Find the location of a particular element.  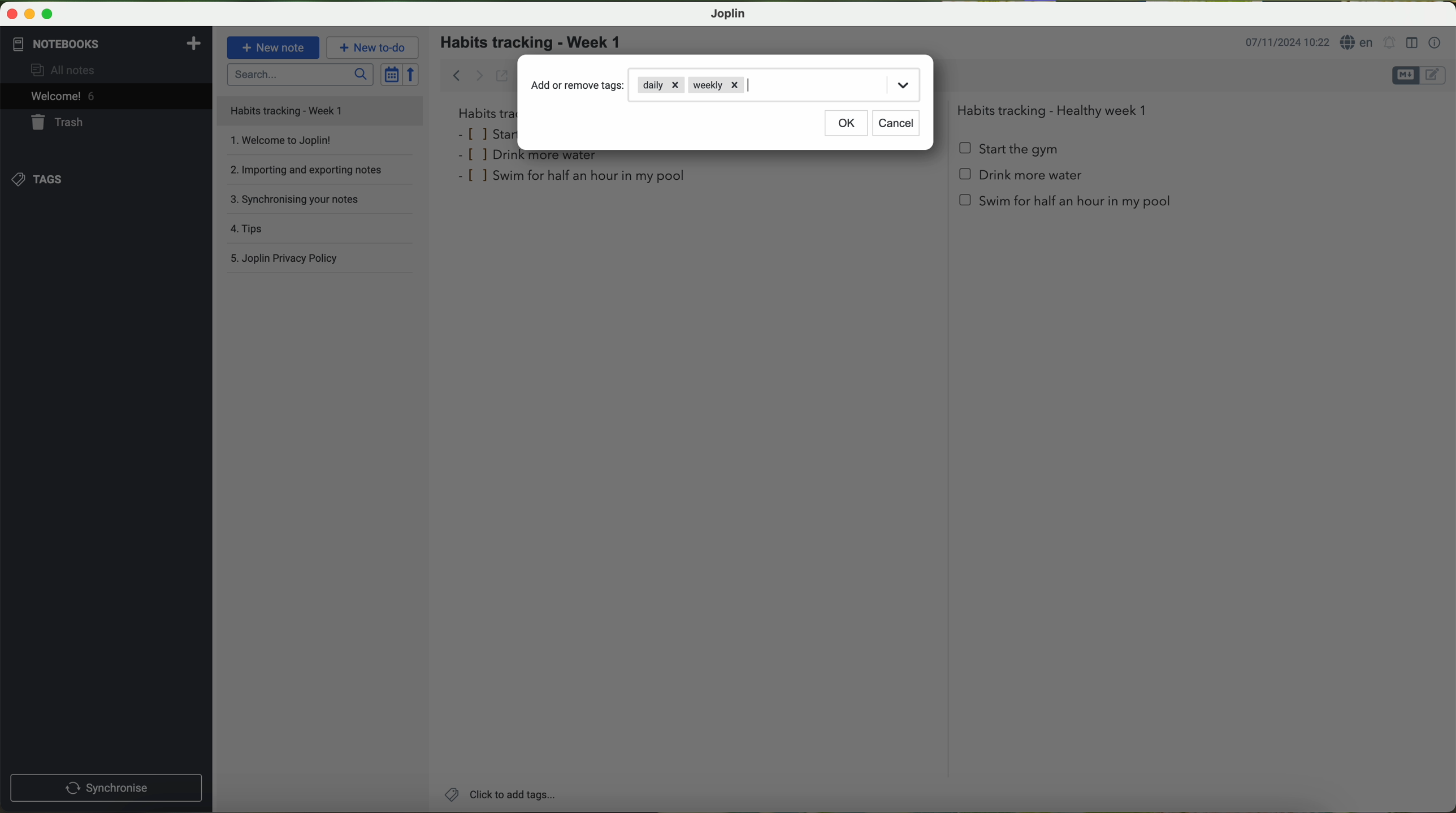

maximize is located at coordinates (48, 14).